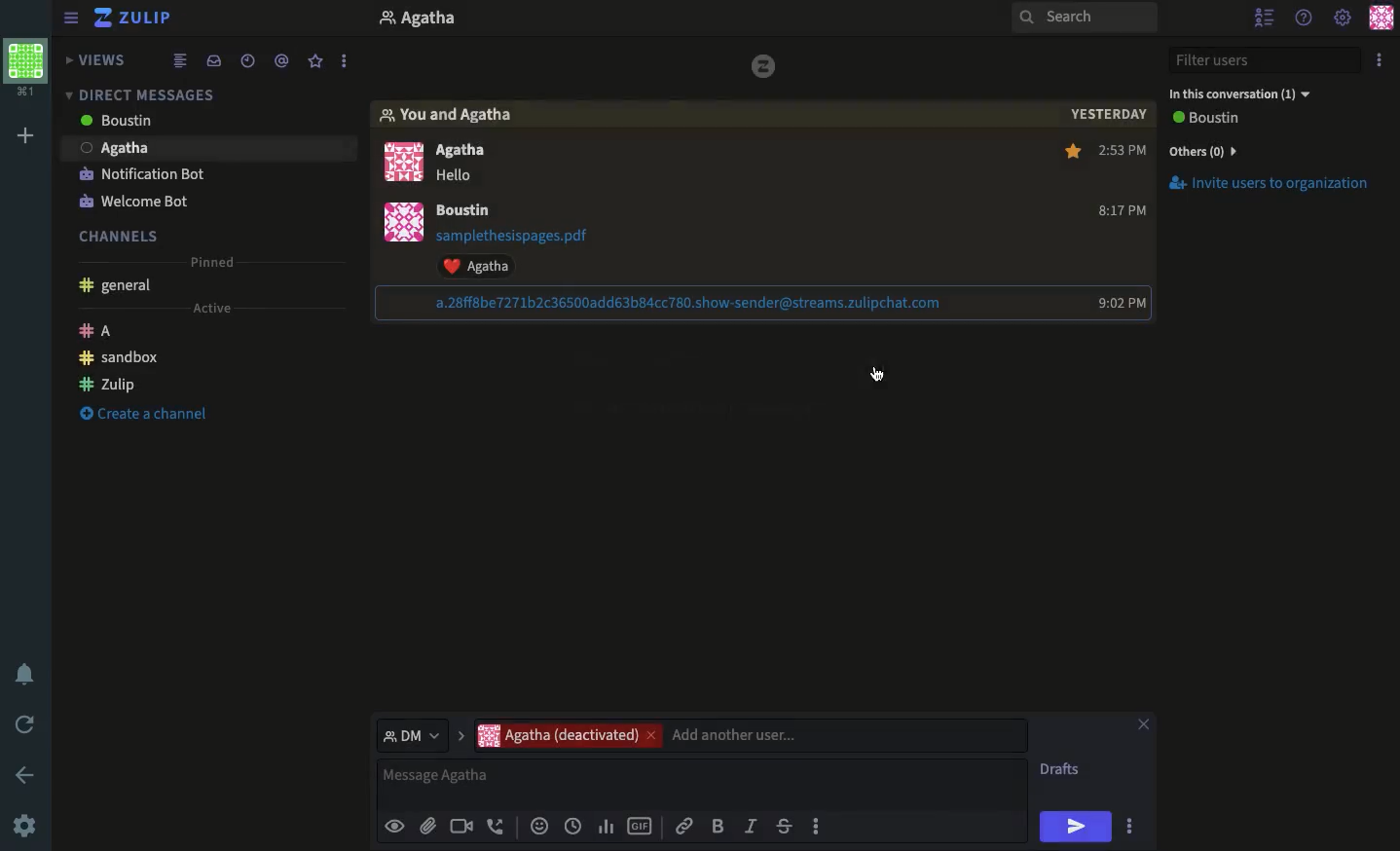  Describe the element at coordinates (576, 826) in the screenshot. I see `Add global time` at that location.